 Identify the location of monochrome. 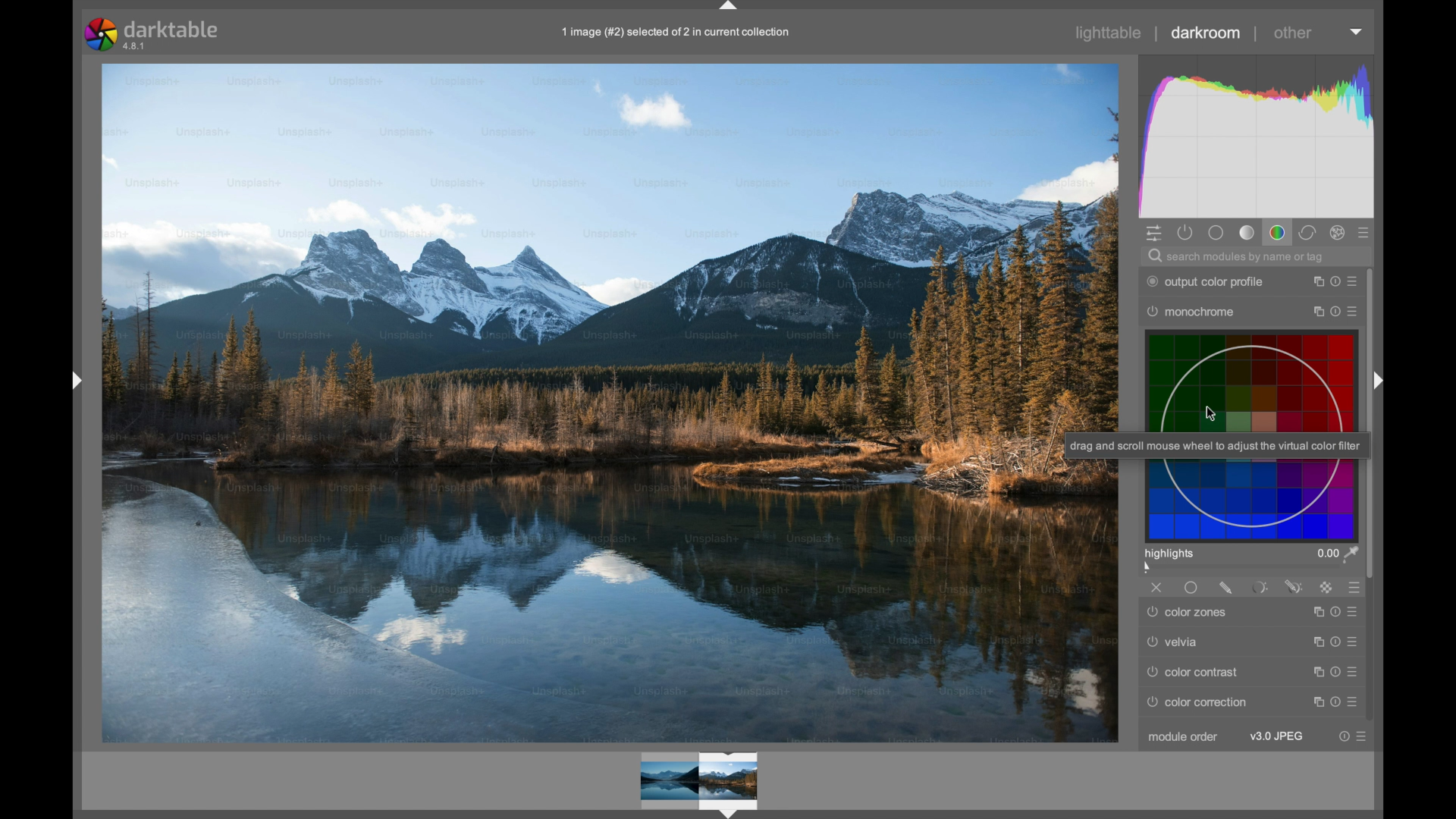
(1191, 312).